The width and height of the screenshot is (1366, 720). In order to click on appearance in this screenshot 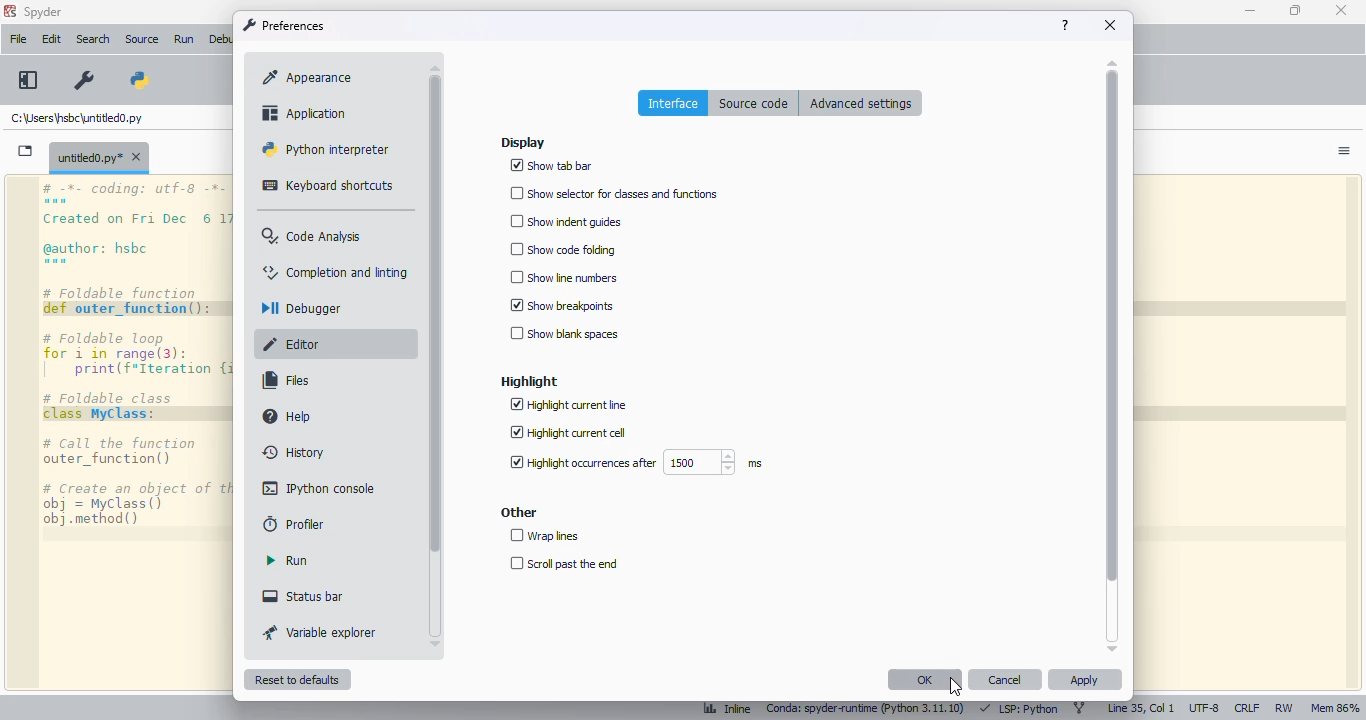, I will do `click(309, 77)`.